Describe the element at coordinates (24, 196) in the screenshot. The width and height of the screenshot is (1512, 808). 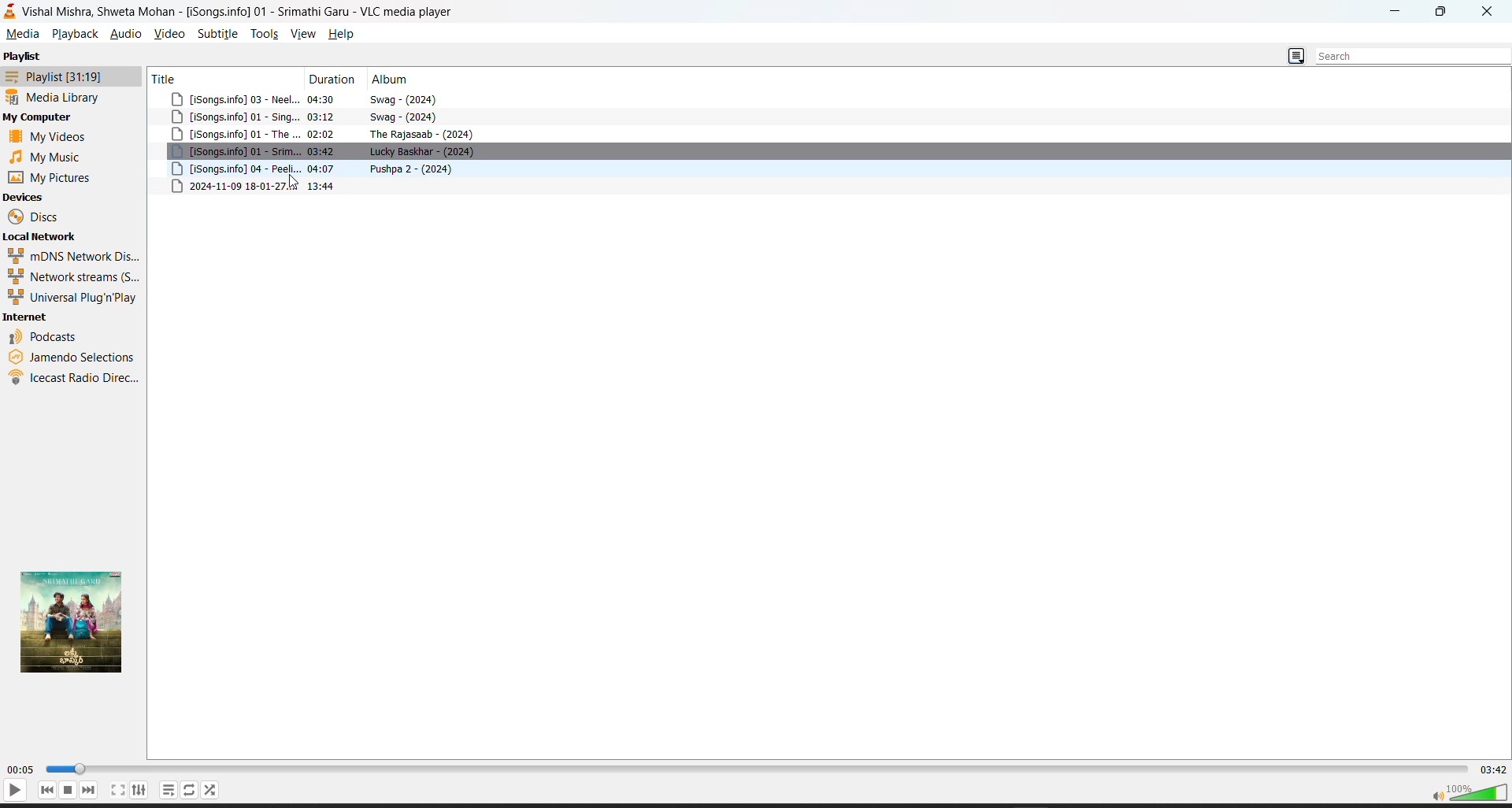
I see `devices` at that location.